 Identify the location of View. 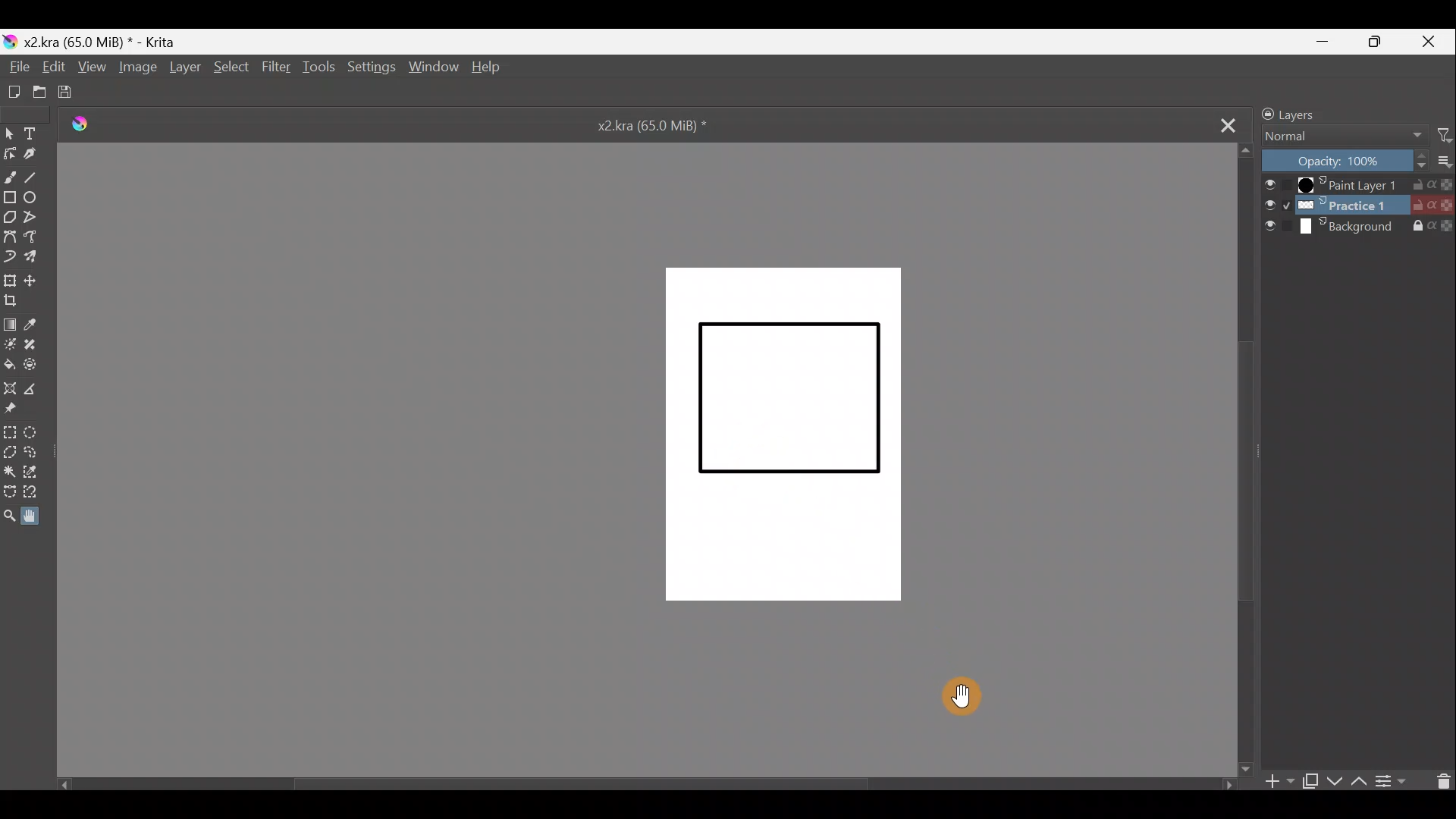
(90, 67).